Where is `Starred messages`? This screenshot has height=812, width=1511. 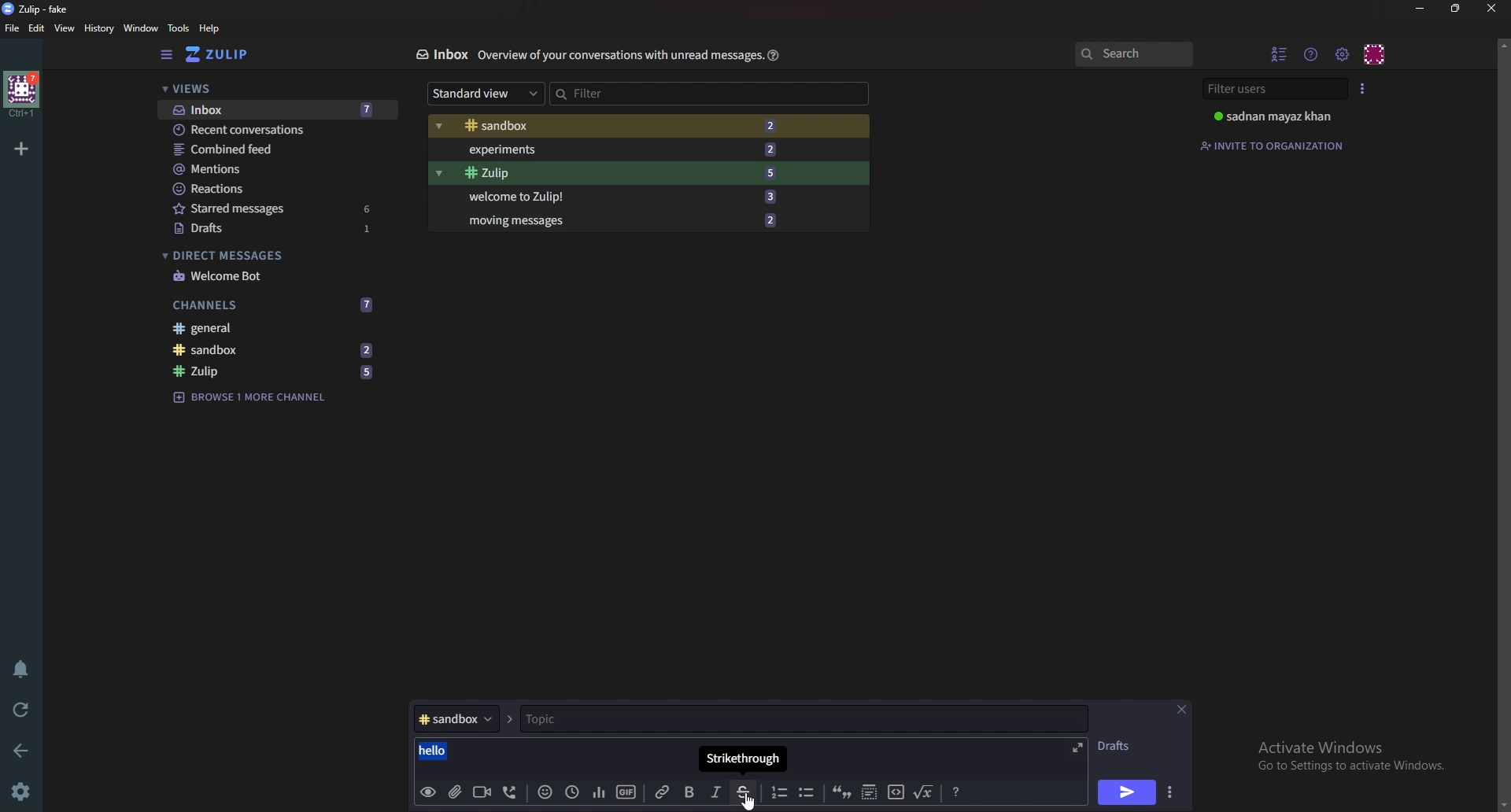
Starred messages is located at coordinates (276, 207).